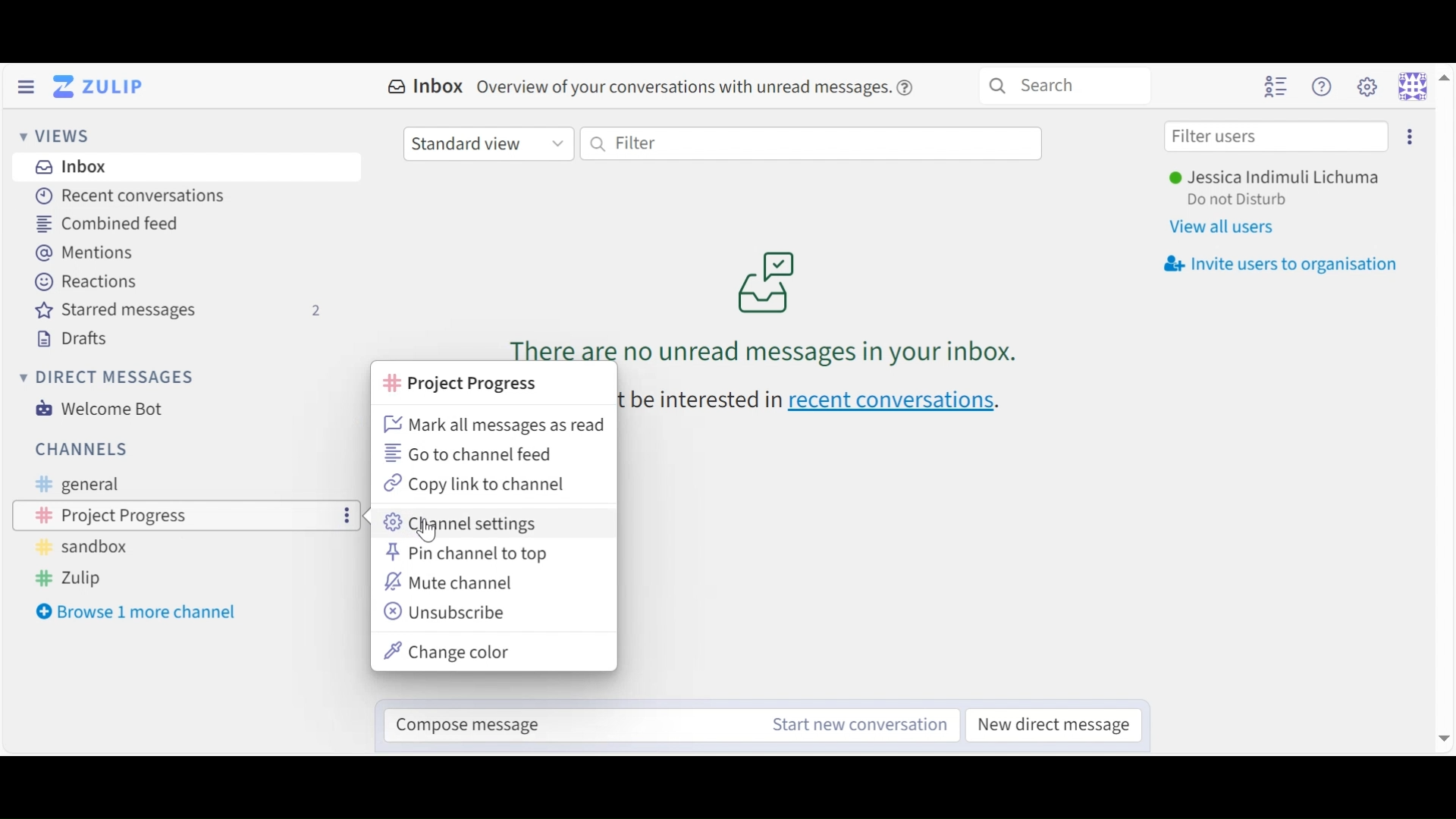 The height and width of the screenshot is (819, 1456). I want to click on Filter user, so click(1273, 137).